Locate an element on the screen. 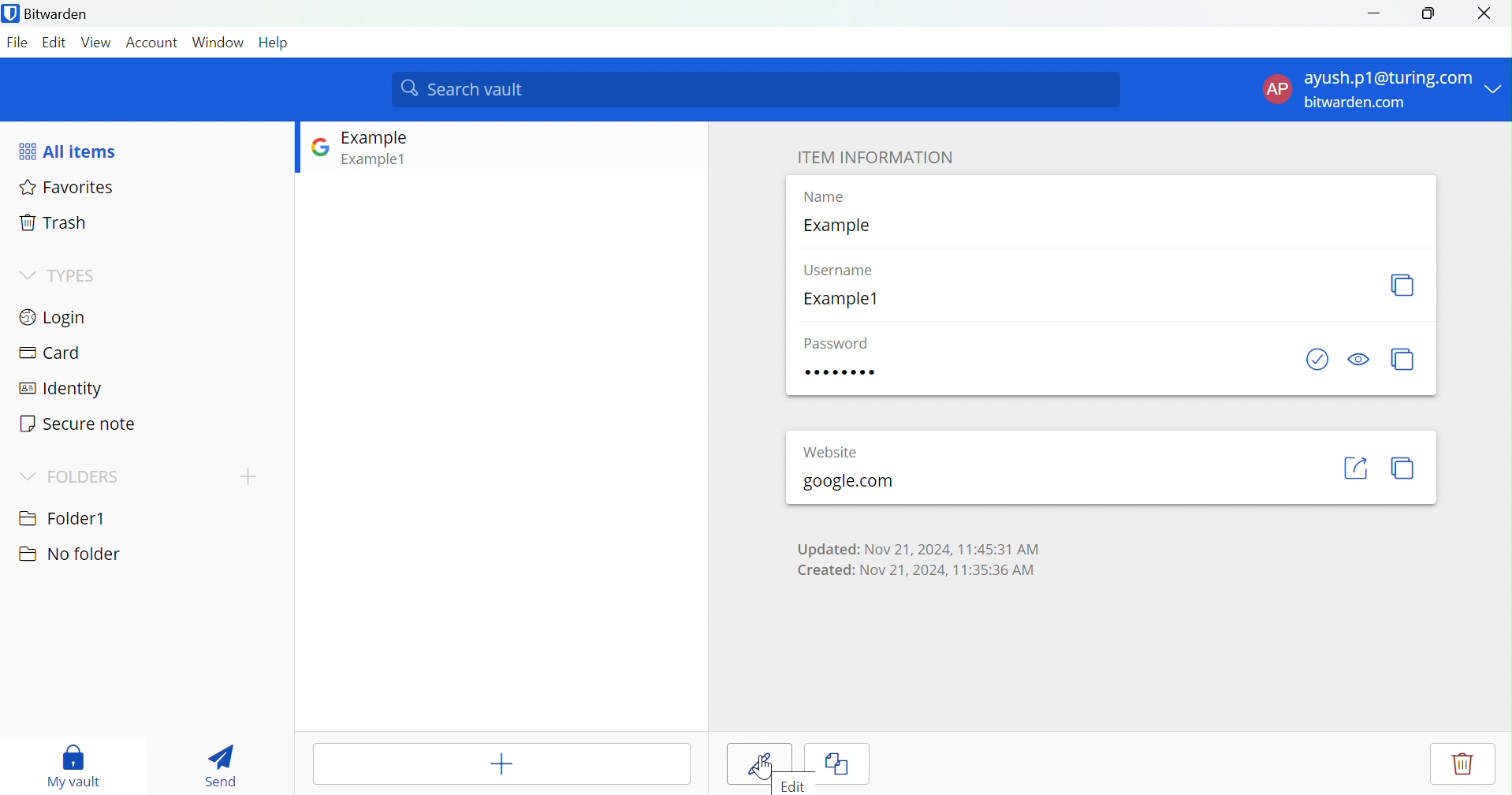 Image resolution: width=1512 pixels, height=795 pixels. Updated: Nov 21, 2024, 11:41:11 AM
Created: Nov 21, 2024, 11:35:36 AM is located at coordinates (914, 556).